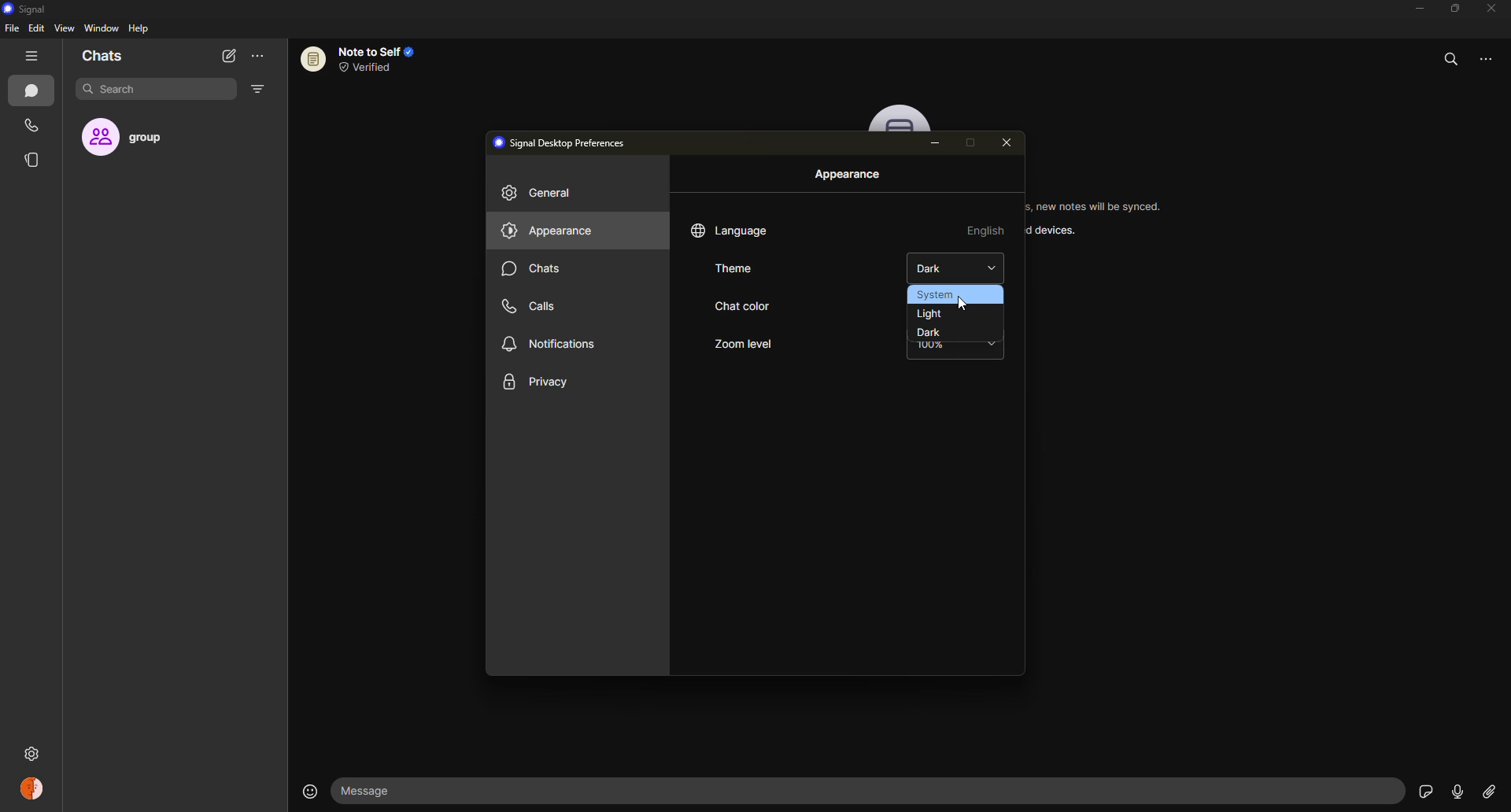 The image size is (1511, 812). Describe the element at coordinates (1494, 9) in the screenshot. I see `close` at that location.